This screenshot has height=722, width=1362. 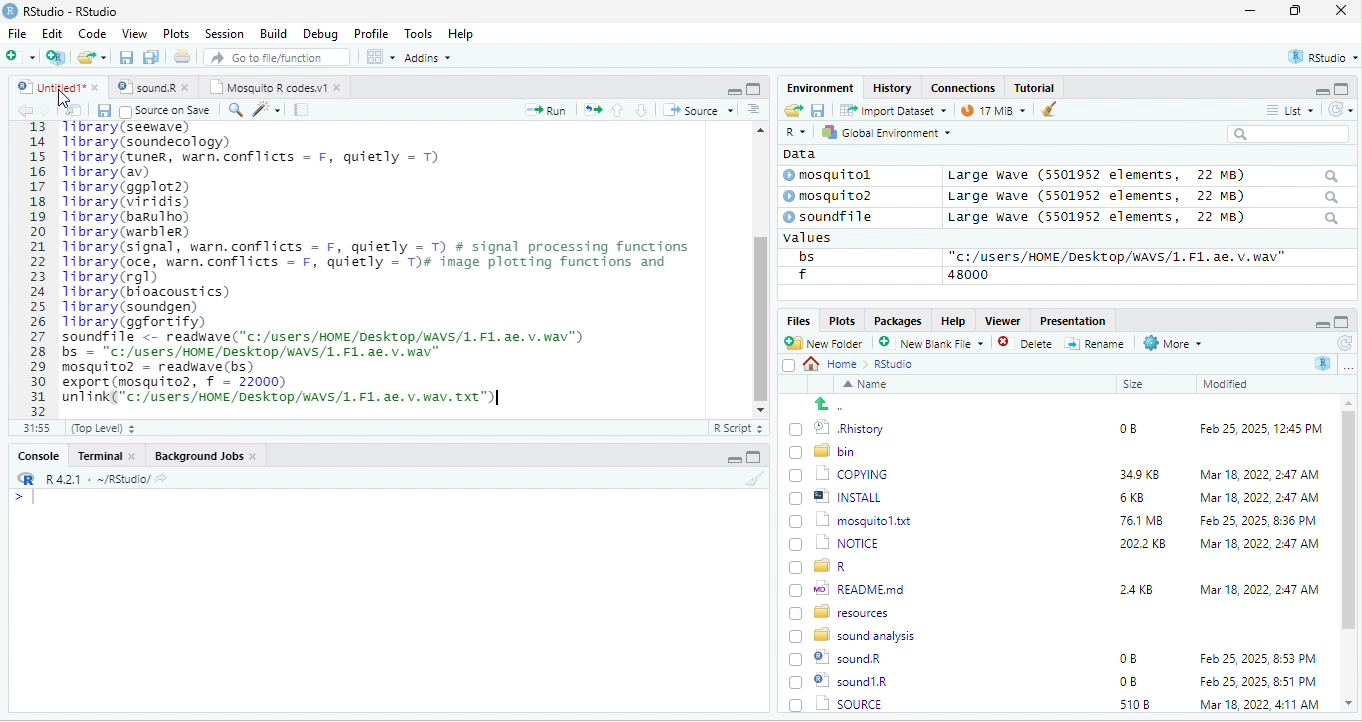 What do you see at coordinates (1260, 474) in the screenshot?
I see `Mar 18, 2022, 247 AM` at bounding box center [1260, 474].